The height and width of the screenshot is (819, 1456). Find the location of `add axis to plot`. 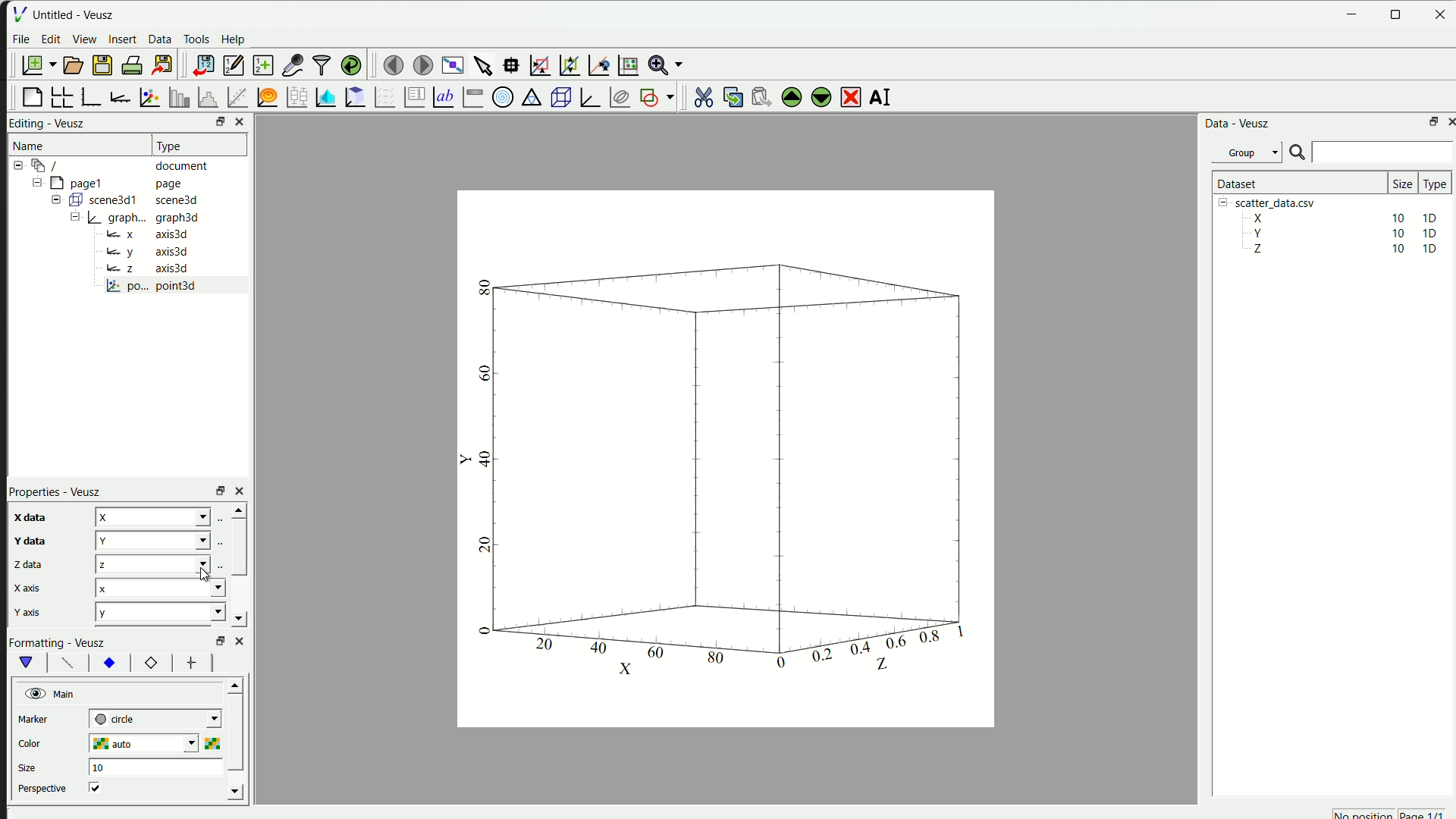

add axis to plot is located at coordinates (118, 96).